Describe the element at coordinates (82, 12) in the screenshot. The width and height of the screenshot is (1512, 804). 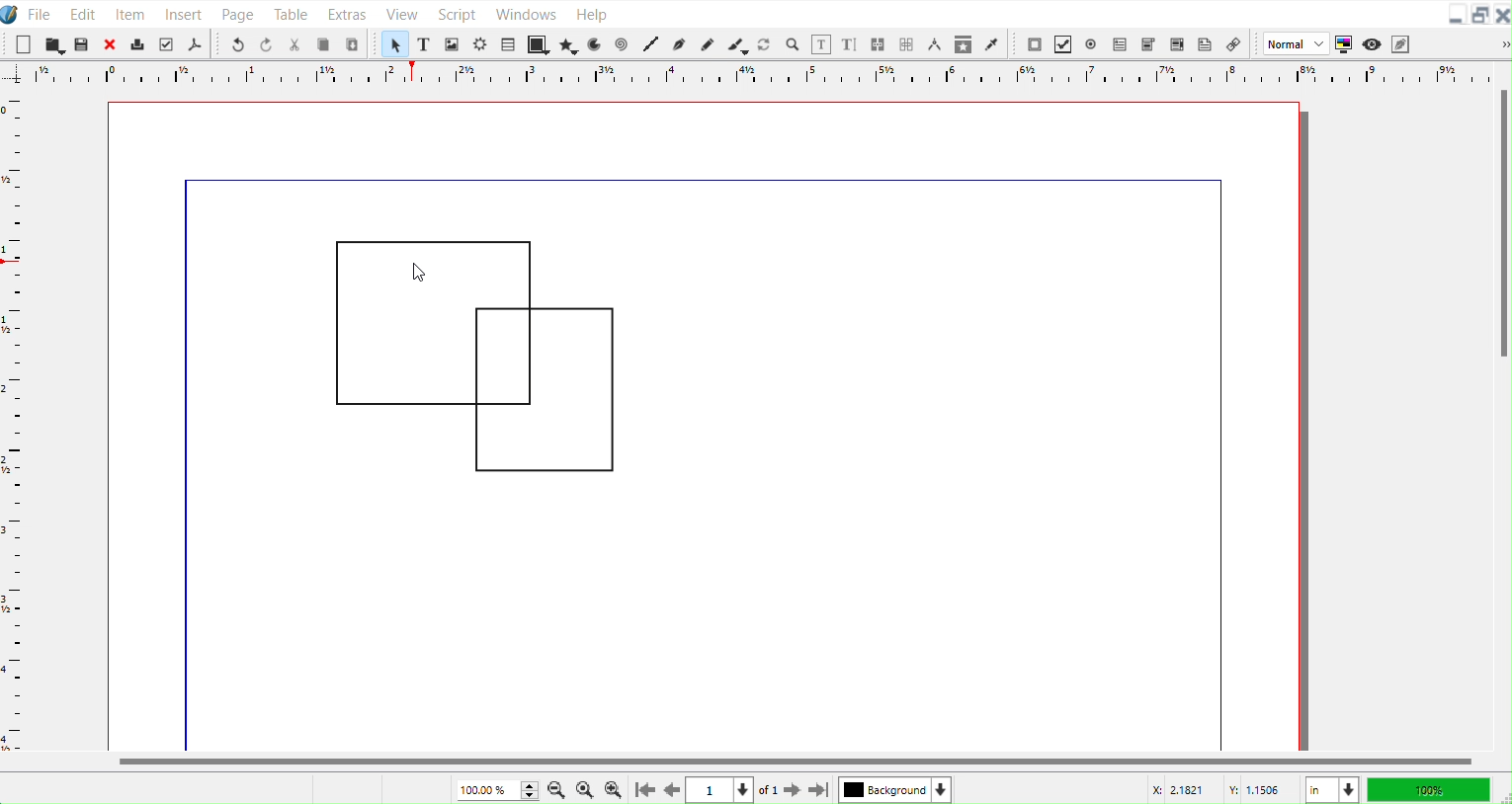
I see `Edit` at that location.